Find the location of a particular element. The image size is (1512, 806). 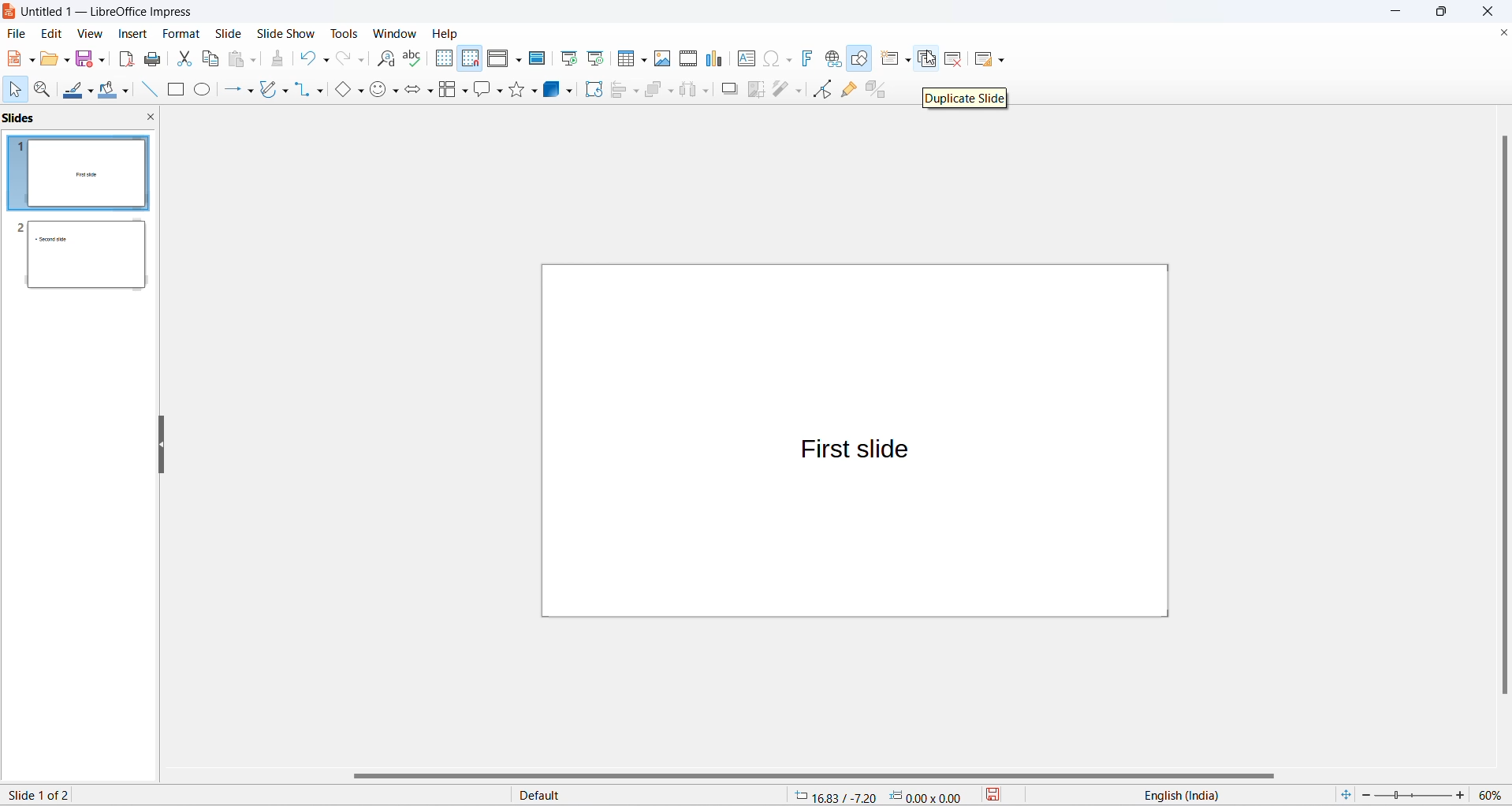

paste options is located at coordinates (259, 57).